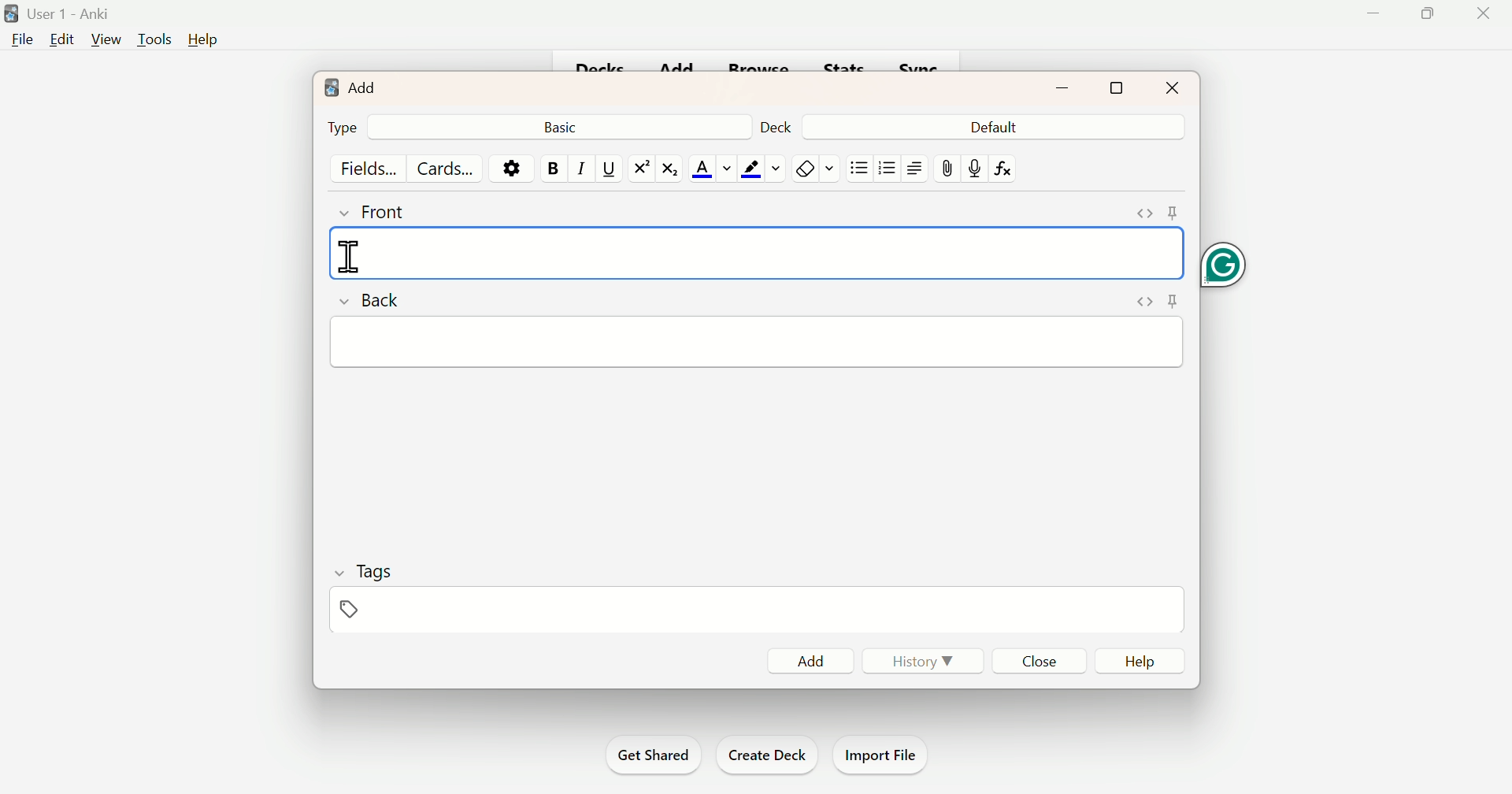  What do you see at coordinates (914, 168) in the screenshot?
I see `Right side` at bounding box center [914, 168].